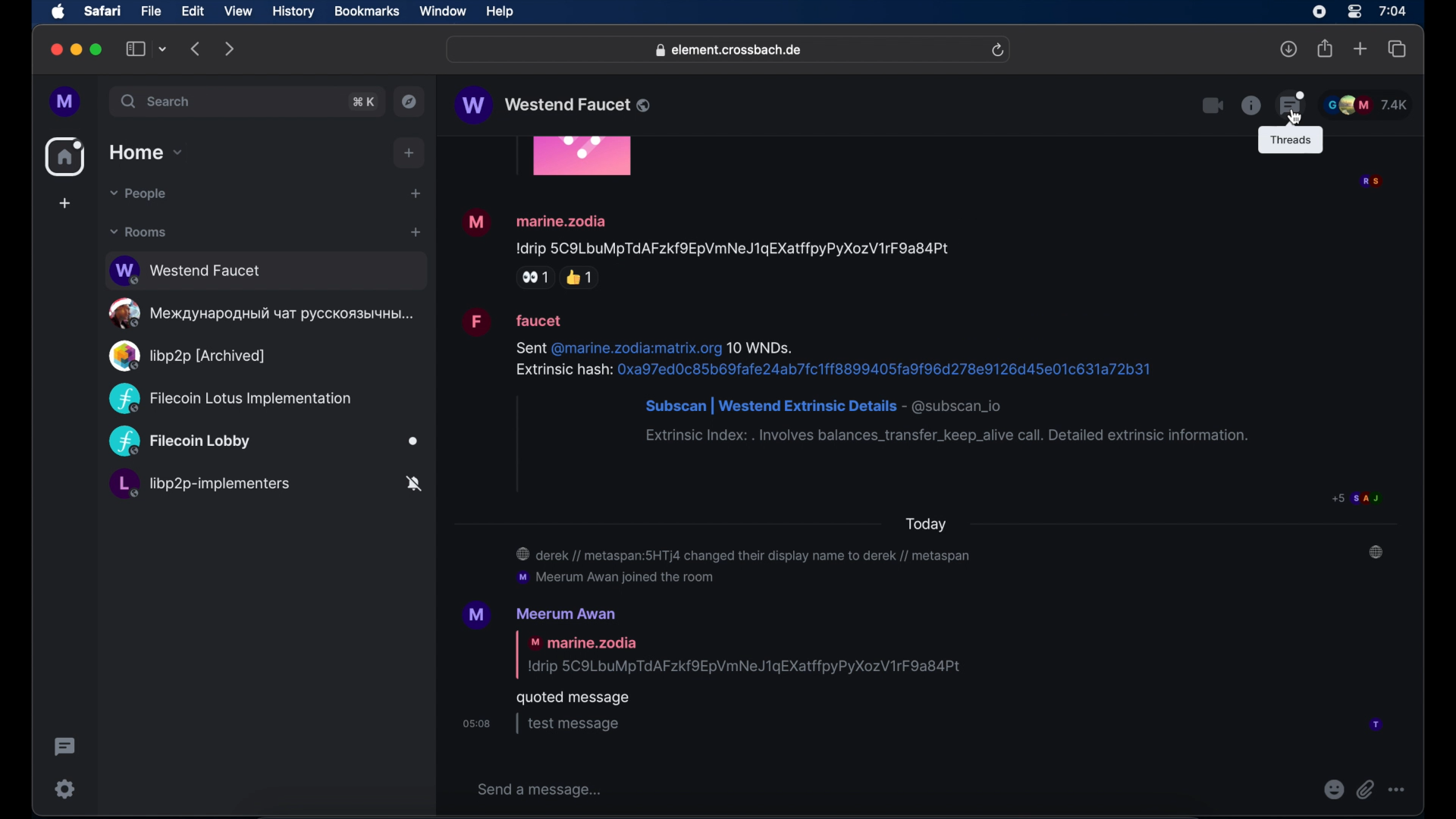 This screenshot has height=819, width=1456. I want to click on W Westend Faucet ®, so click(562, 107).